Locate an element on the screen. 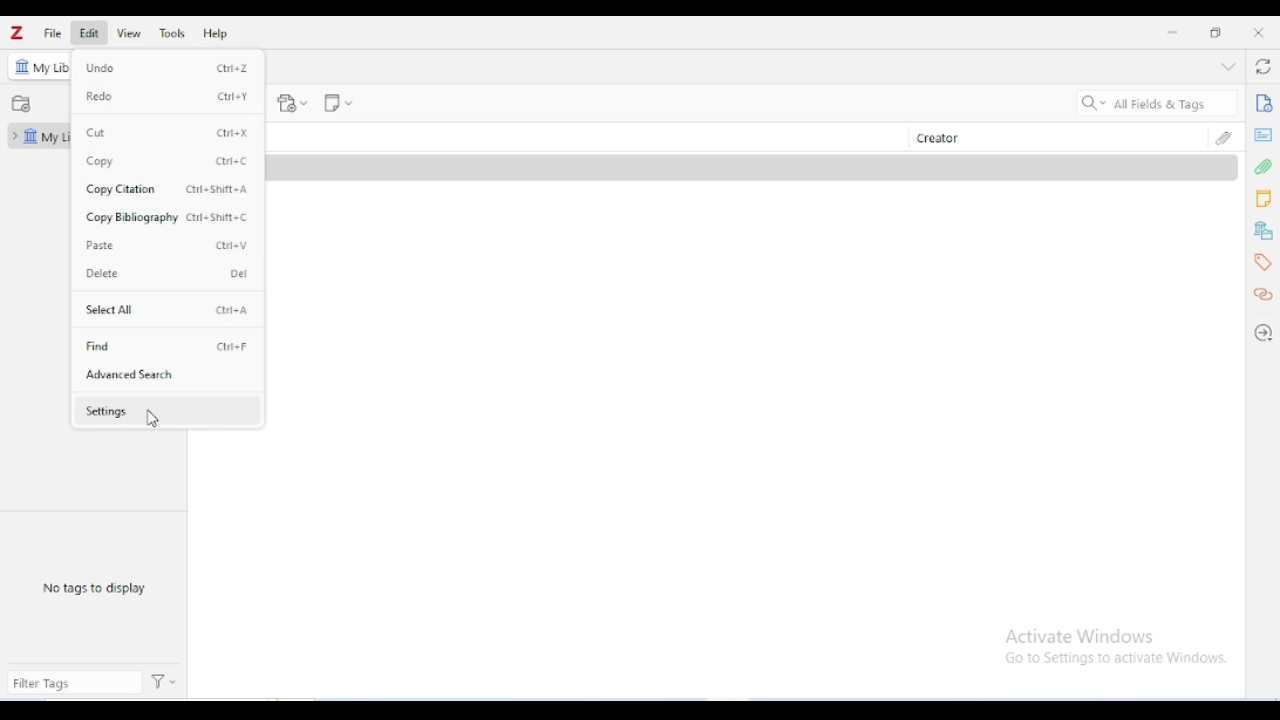 Image resolution: width=1280 pixels, height=720 pixels. copy is located at coordinates (100, 161).